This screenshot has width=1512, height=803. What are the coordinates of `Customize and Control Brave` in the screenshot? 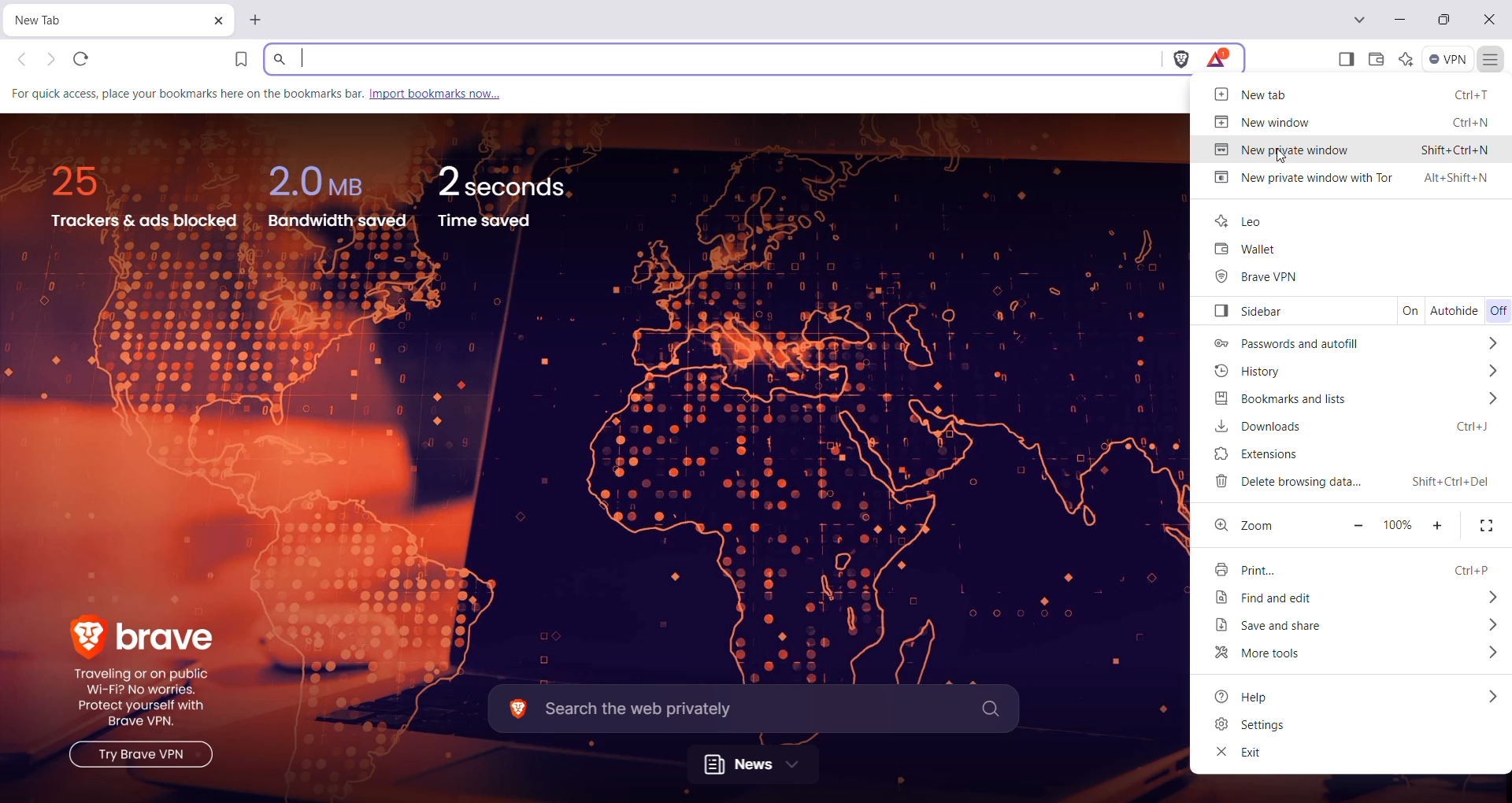 It's located at (1492, 59).